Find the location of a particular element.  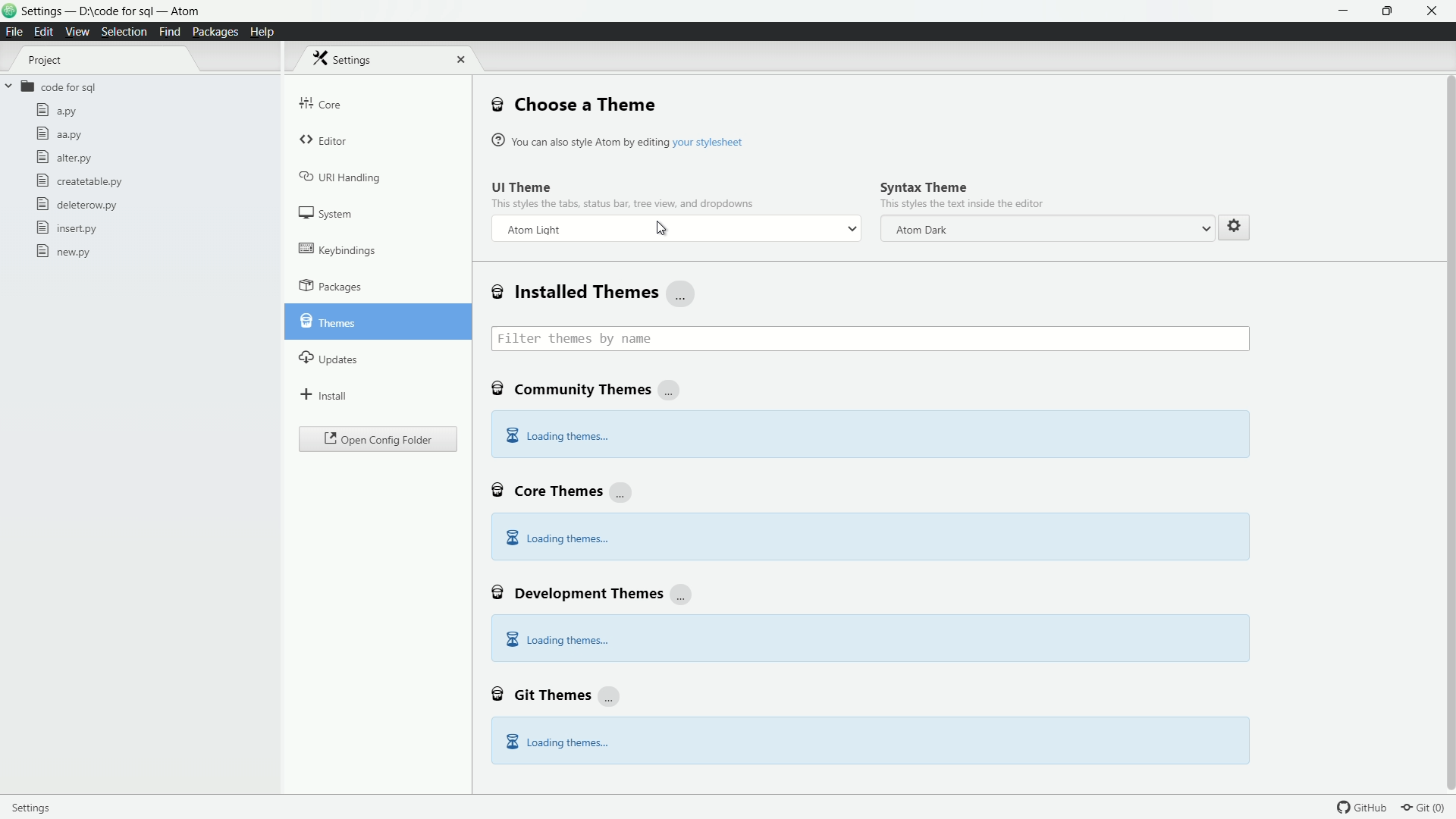

packages menu is located at coordinates (217, 33).